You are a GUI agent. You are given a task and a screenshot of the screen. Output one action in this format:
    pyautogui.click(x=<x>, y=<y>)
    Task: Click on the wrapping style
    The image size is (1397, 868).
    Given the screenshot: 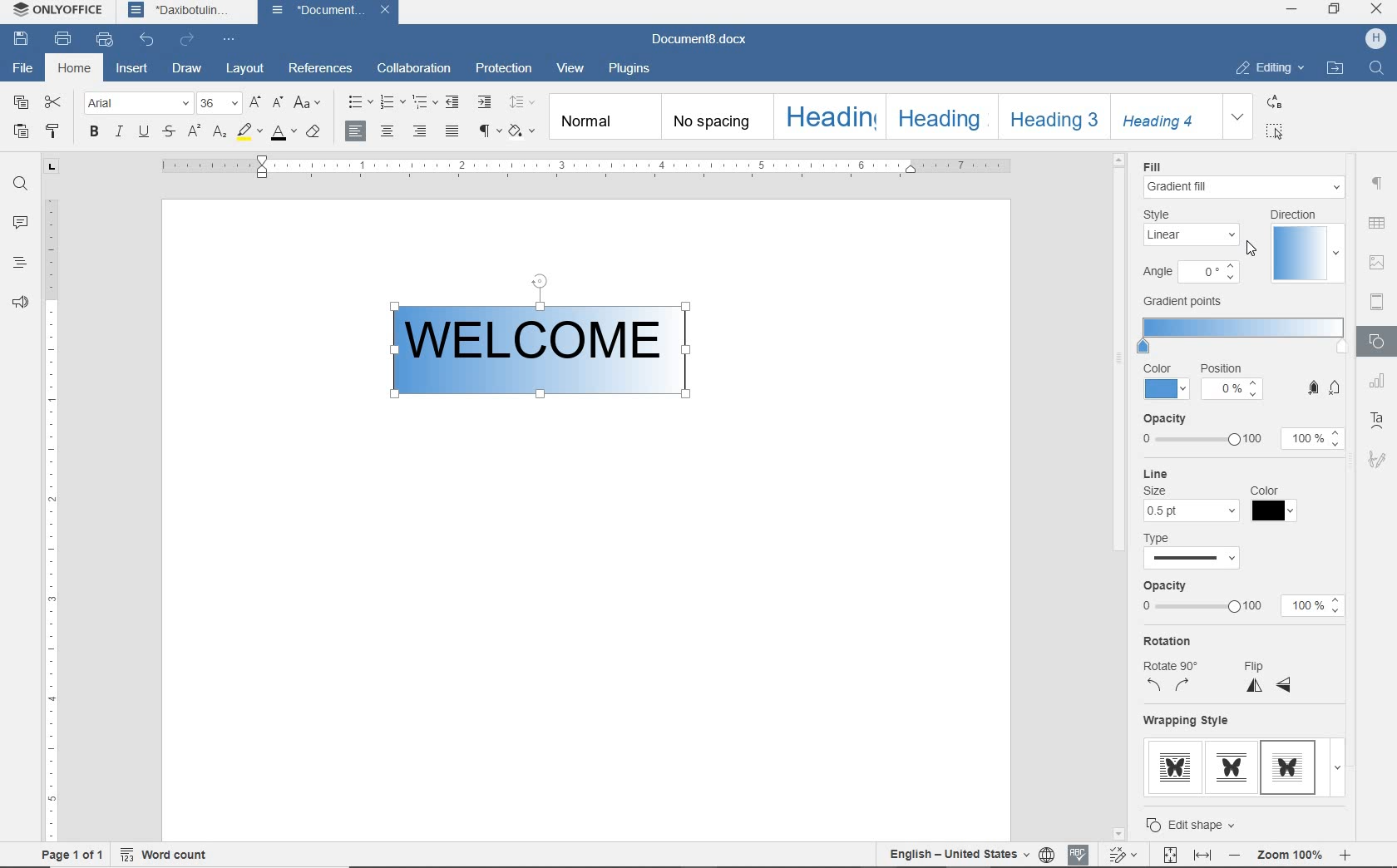 What is the action you would take?
    pyautogui.click(x=1248, y=772)
    